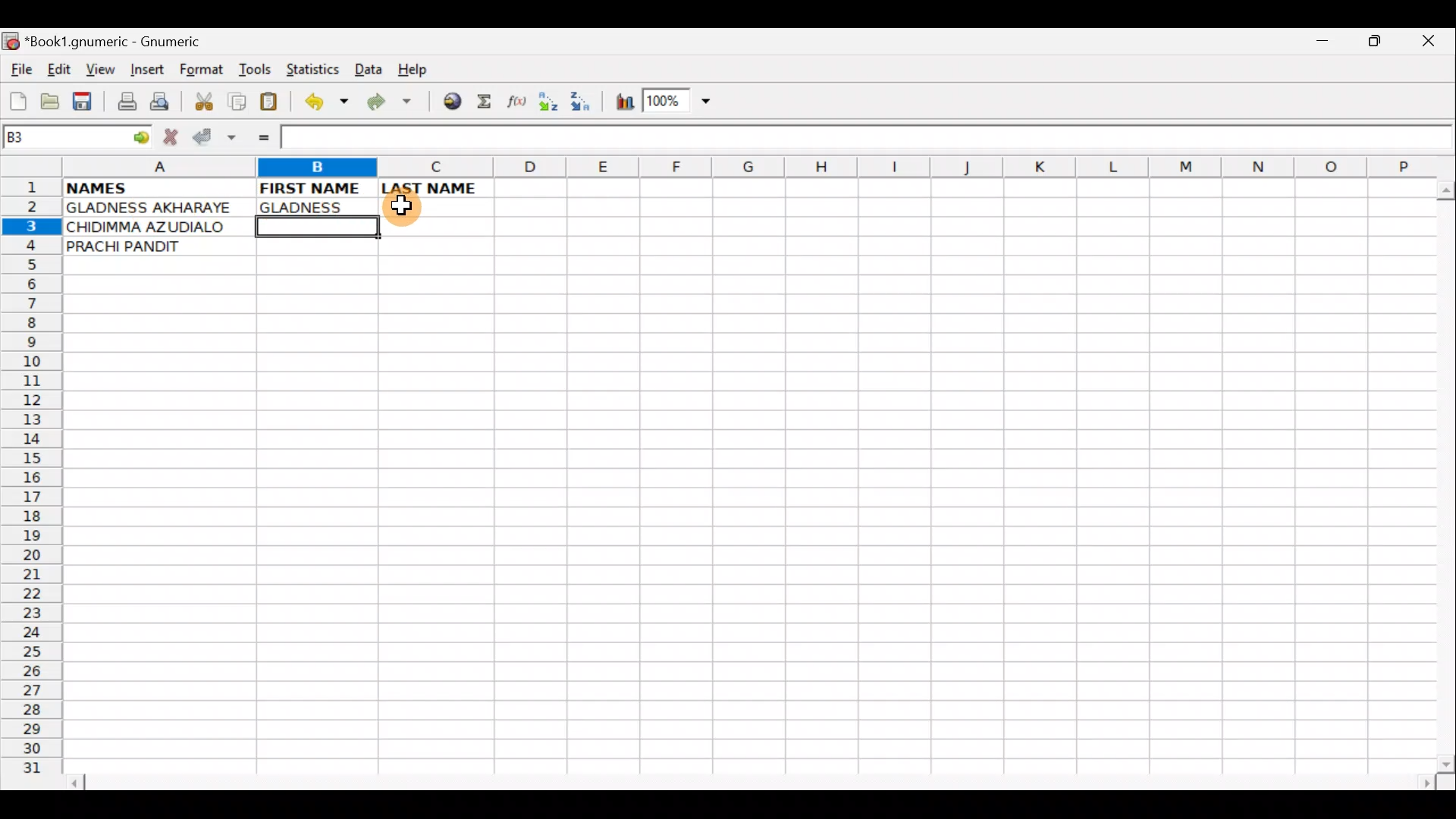  I want to click on Columns, so click(747, 166).